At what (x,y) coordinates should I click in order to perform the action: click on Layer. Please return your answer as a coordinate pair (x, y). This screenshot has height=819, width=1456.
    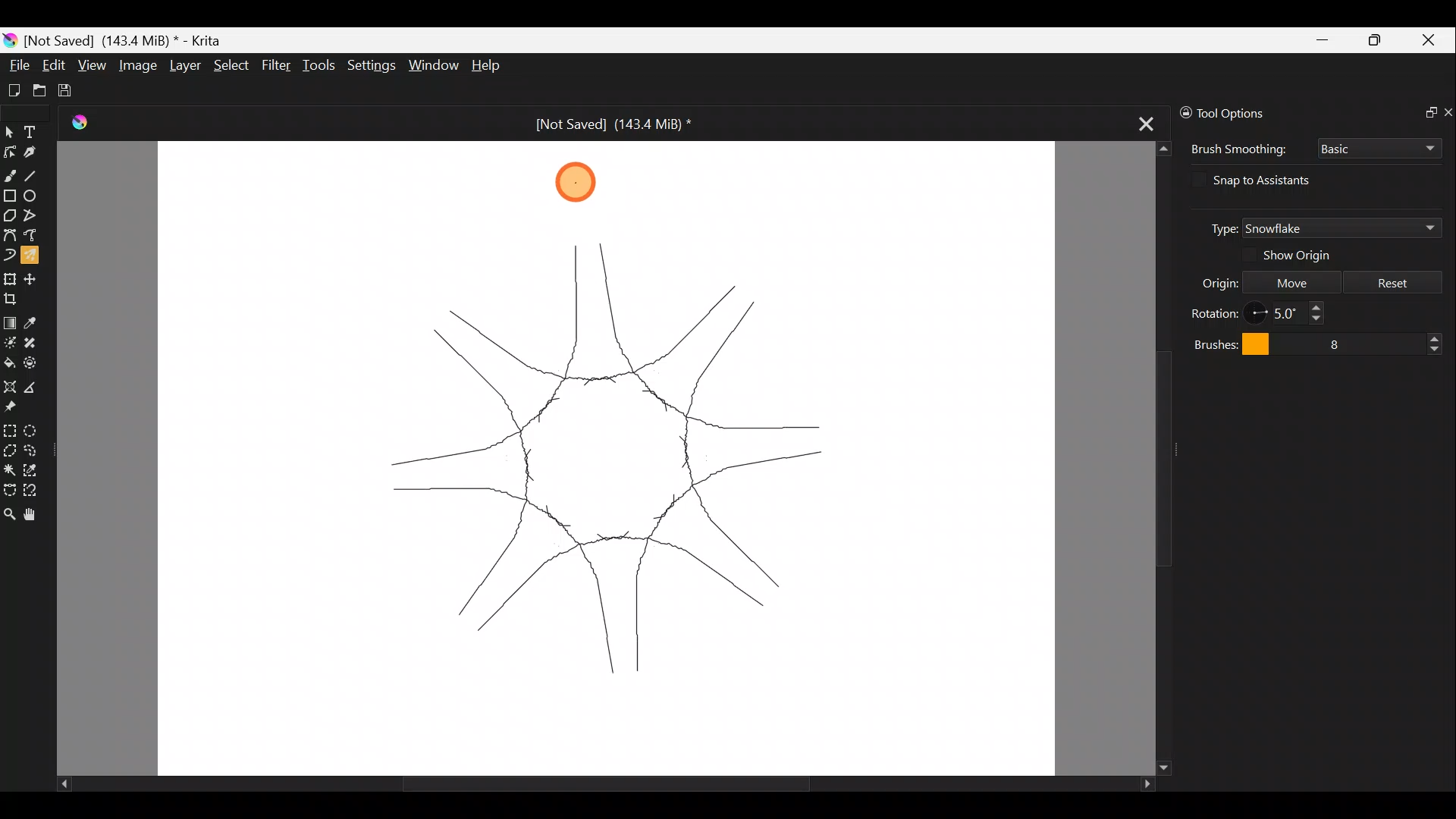
    Looking at the image, I should click on (183, 65).